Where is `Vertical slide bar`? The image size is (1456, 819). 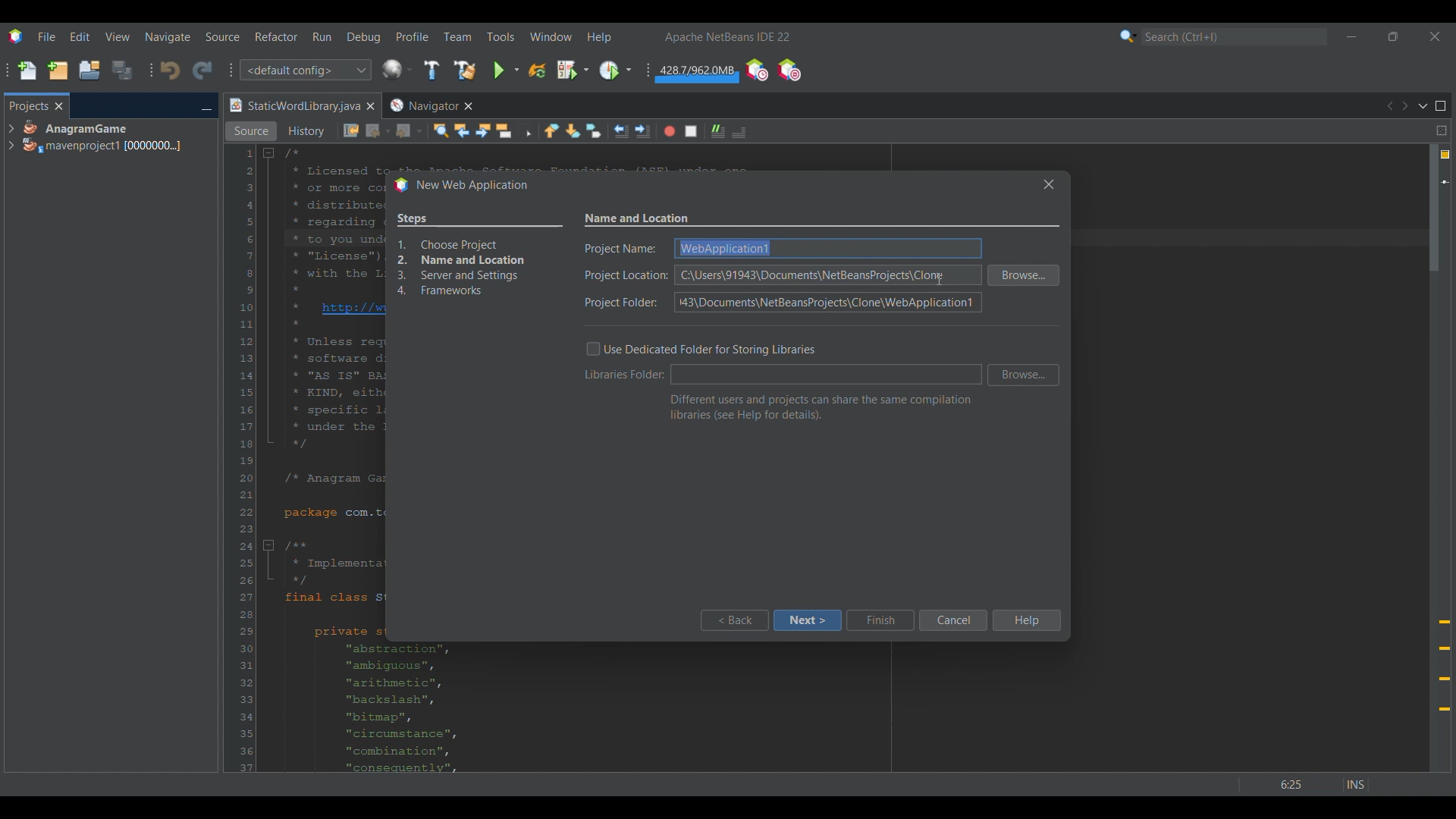 Vertical slide bar is located at coordinates (1434, 458).